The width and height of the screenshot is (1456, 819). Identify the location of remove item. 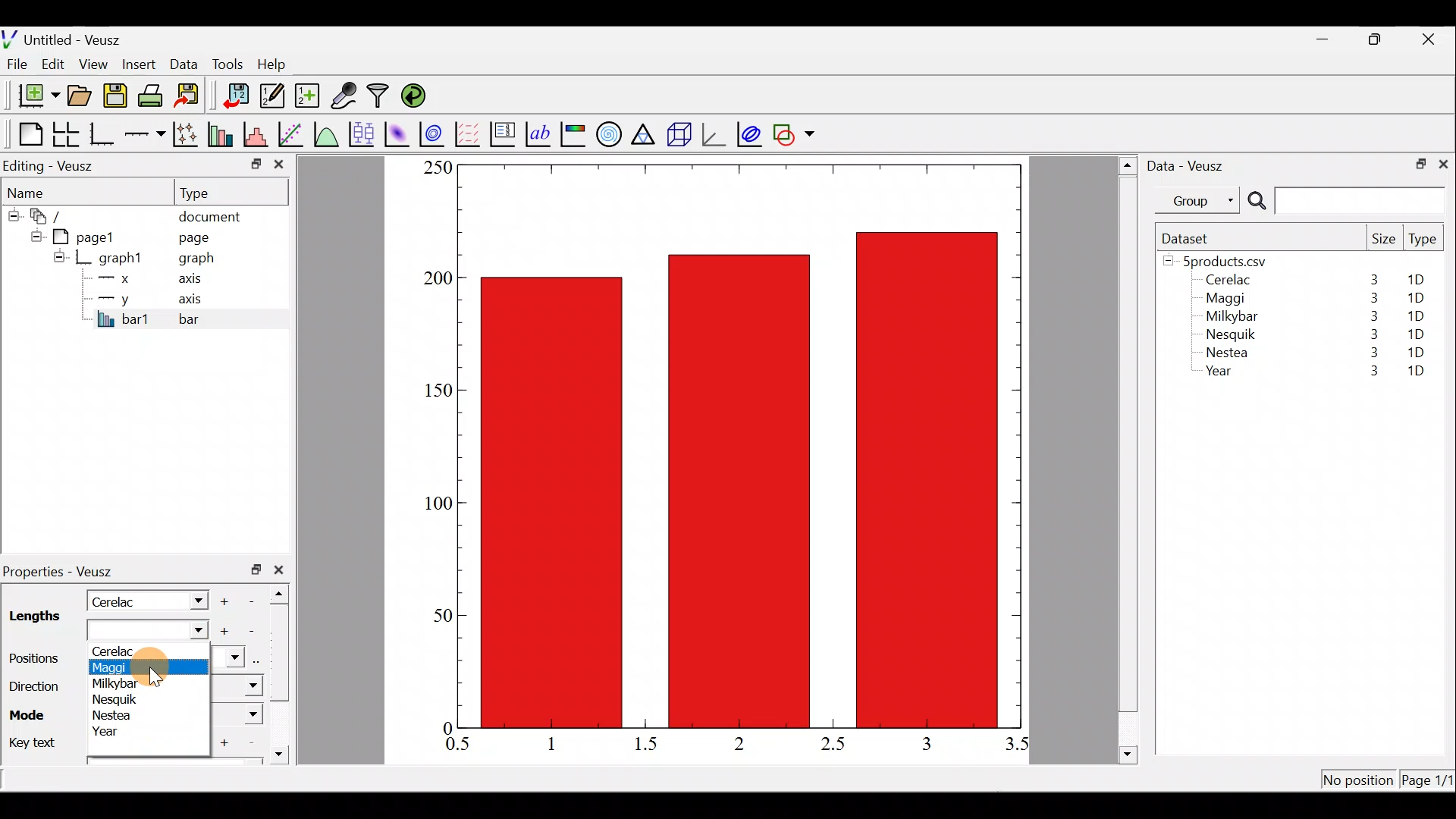
(250, 631).